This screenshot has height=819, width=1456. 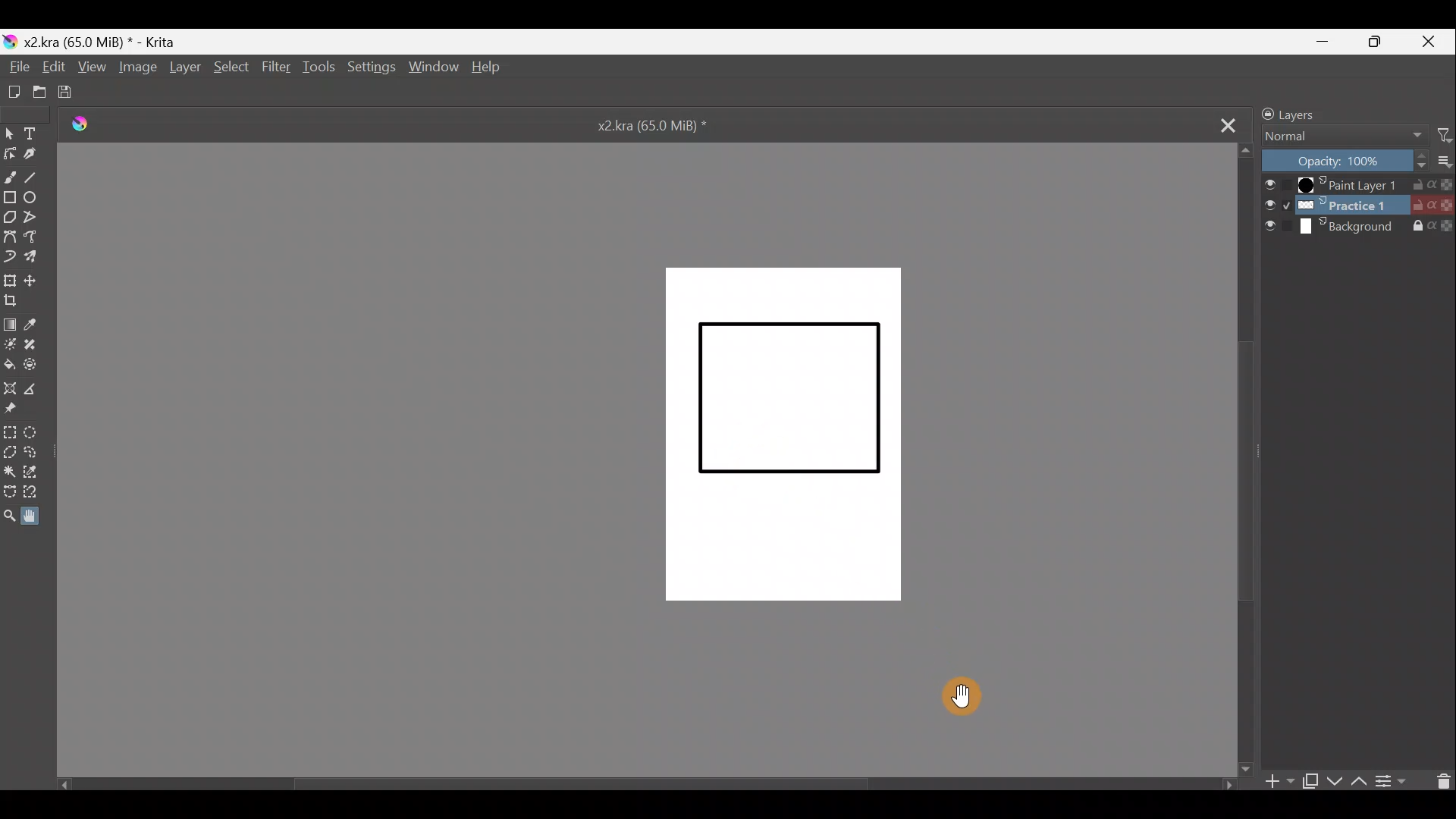 What do you see at coordinates (9, 279) in the screenshot?
I see `Transform a layer/selection` at bounding box center [9, 279].